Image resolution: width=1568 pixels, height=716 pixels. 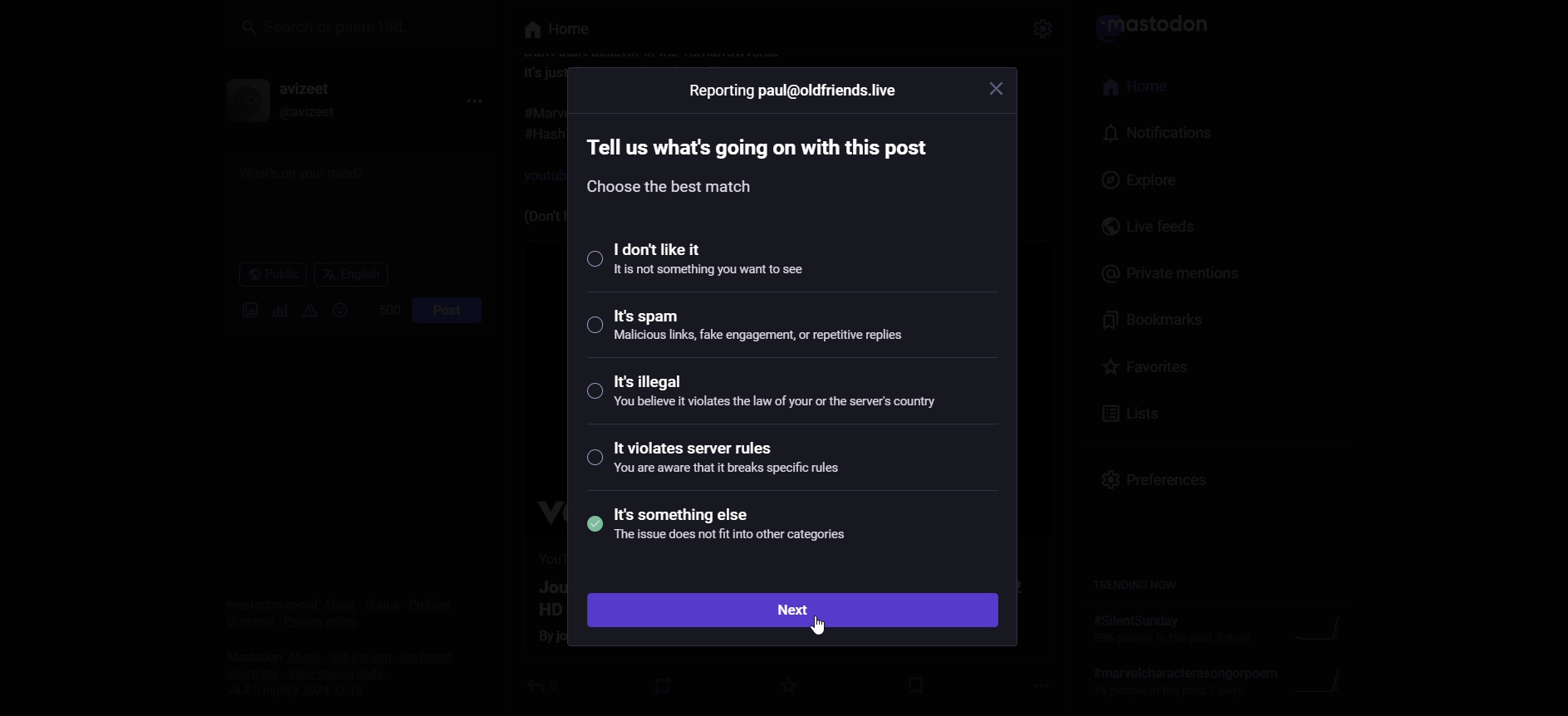 What do you see at coordinates (1162, 319) in the screenshot?
I see `bookmarks` at bounding box center [1162, 319].